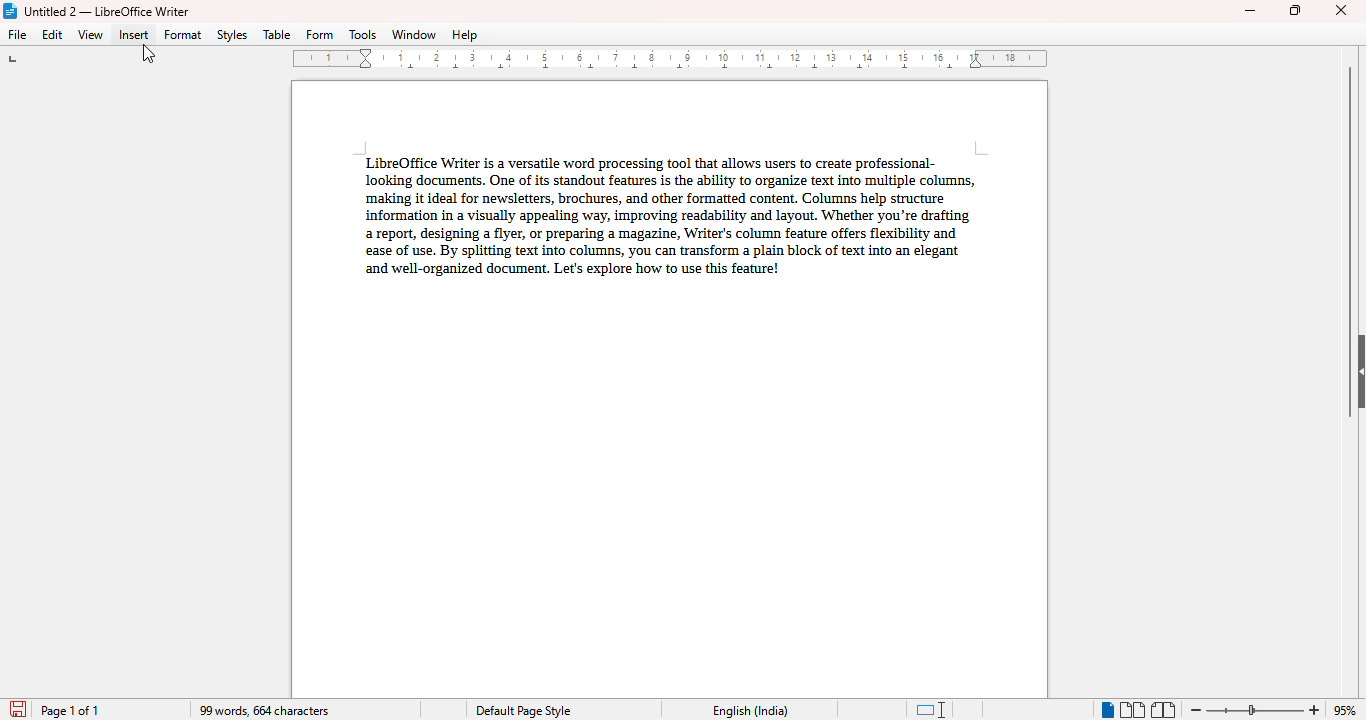 This screenshot has width=1366, height=720. Describe the element at coordinates (673, 58) in the screenshot. I see `ruler` at that location.